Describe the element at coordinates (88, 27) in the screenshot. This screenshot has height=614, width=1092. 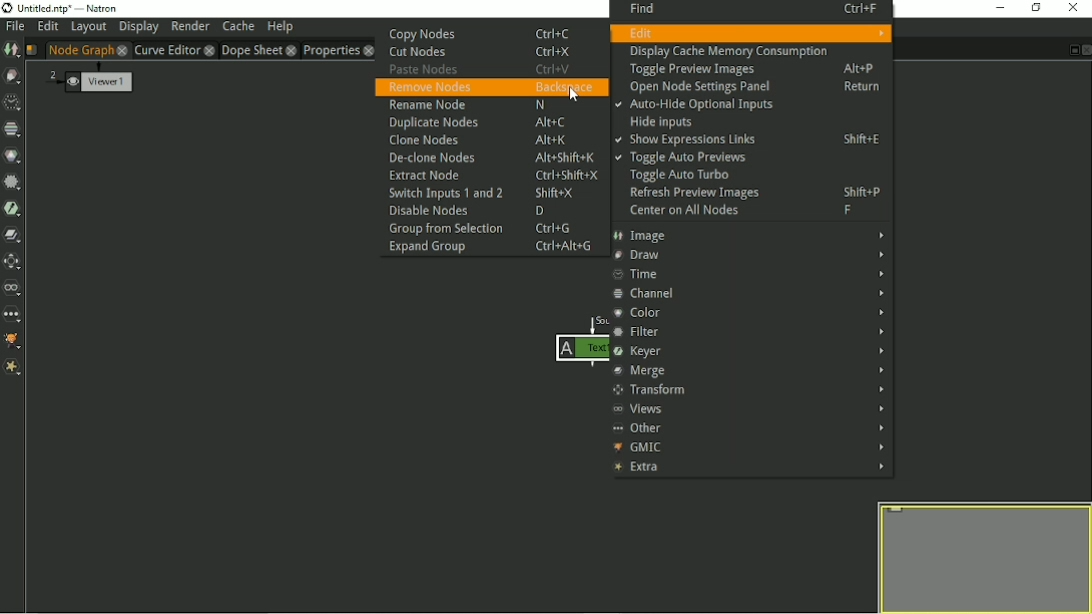
I see `Layout` at that location.